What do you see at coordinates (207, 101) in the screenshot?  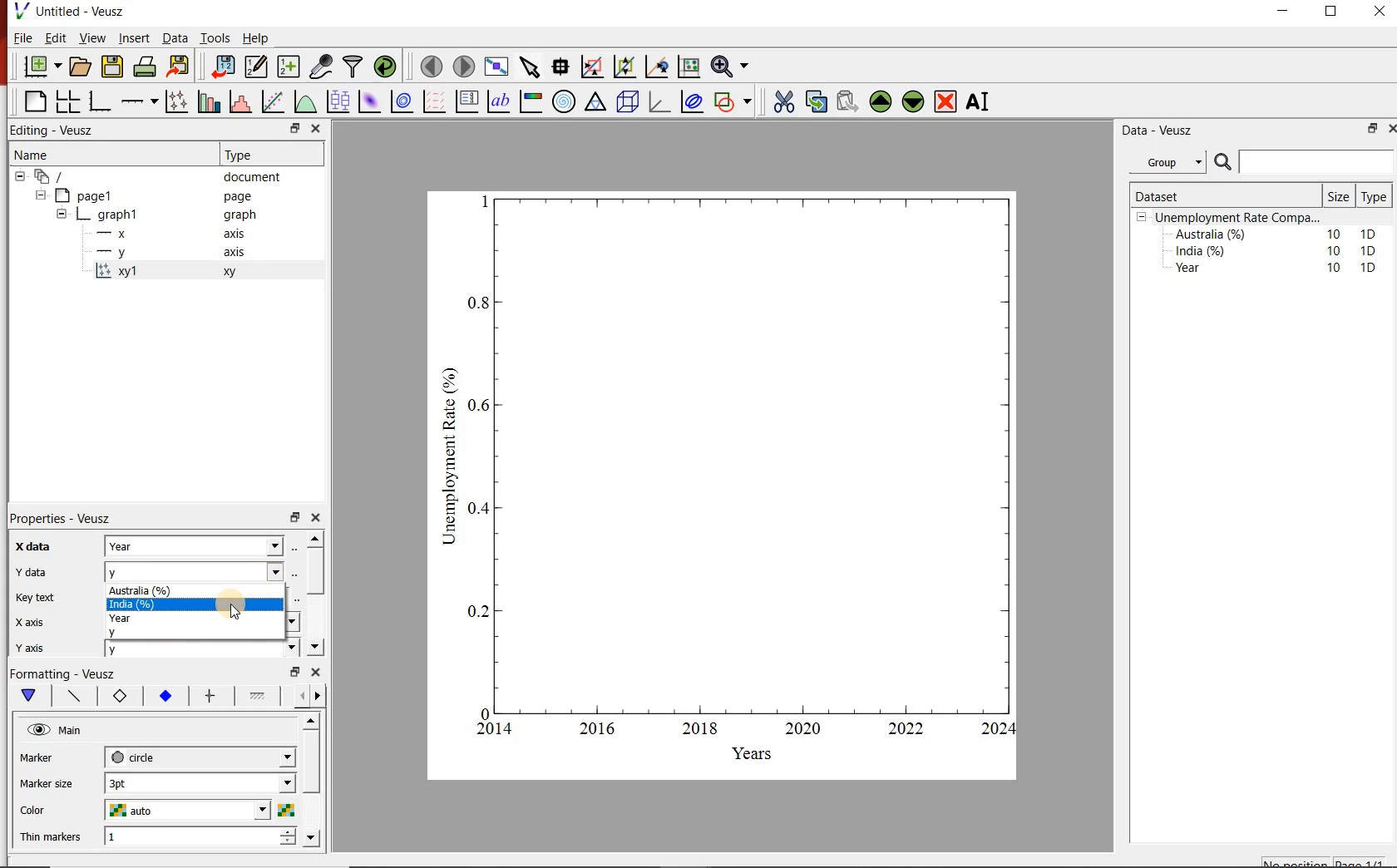 I see `bar graphs` at bounding box center [207, 101].